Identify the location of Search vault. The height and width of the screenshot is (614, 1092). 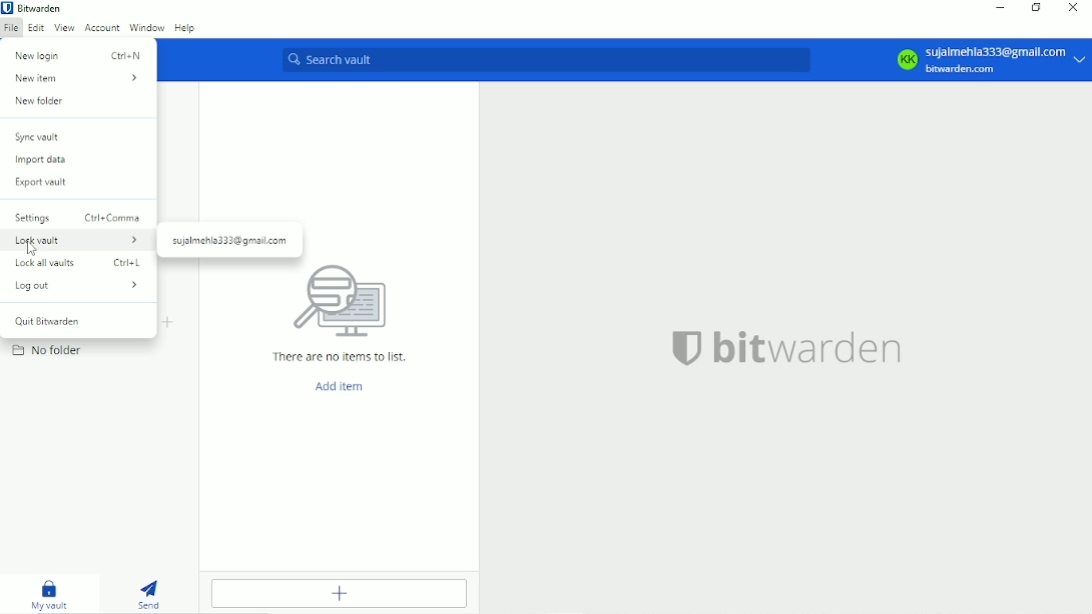
(545, 60).